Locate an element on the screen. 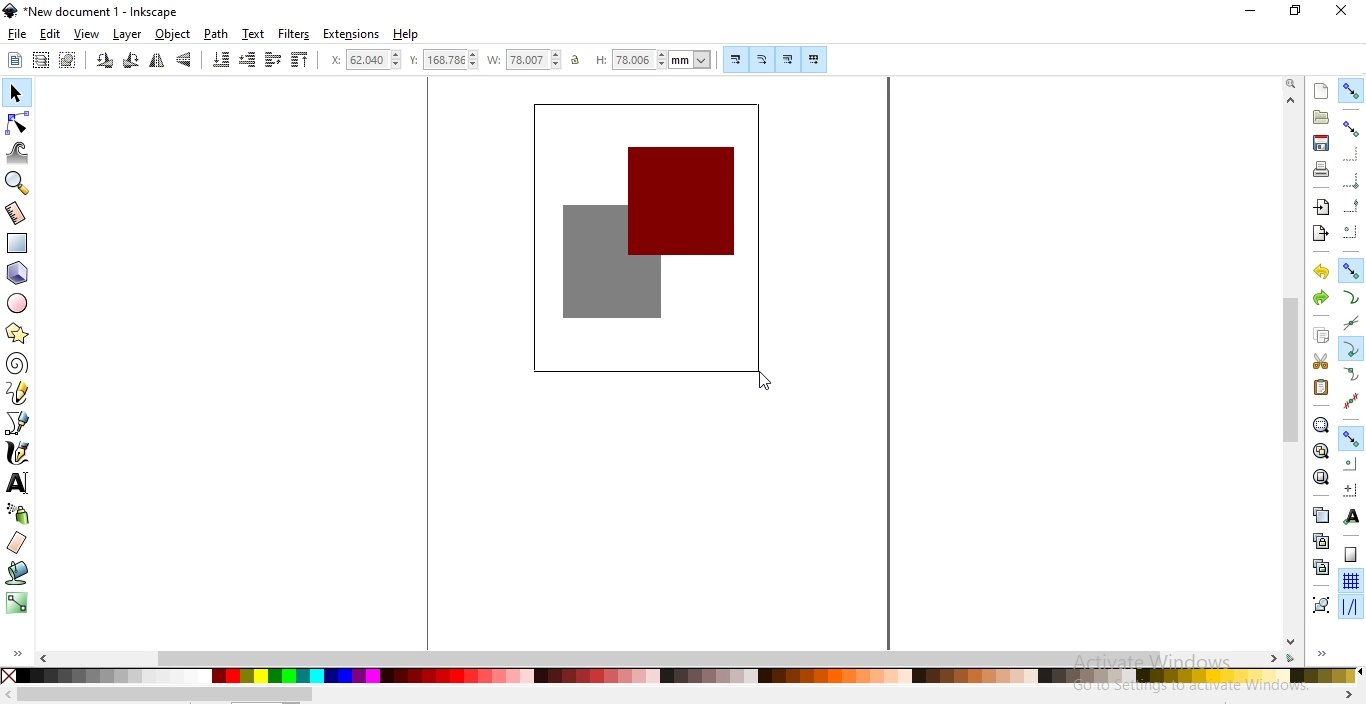  snap nodes, paths and headlines is located at coordinates (1351, 270).